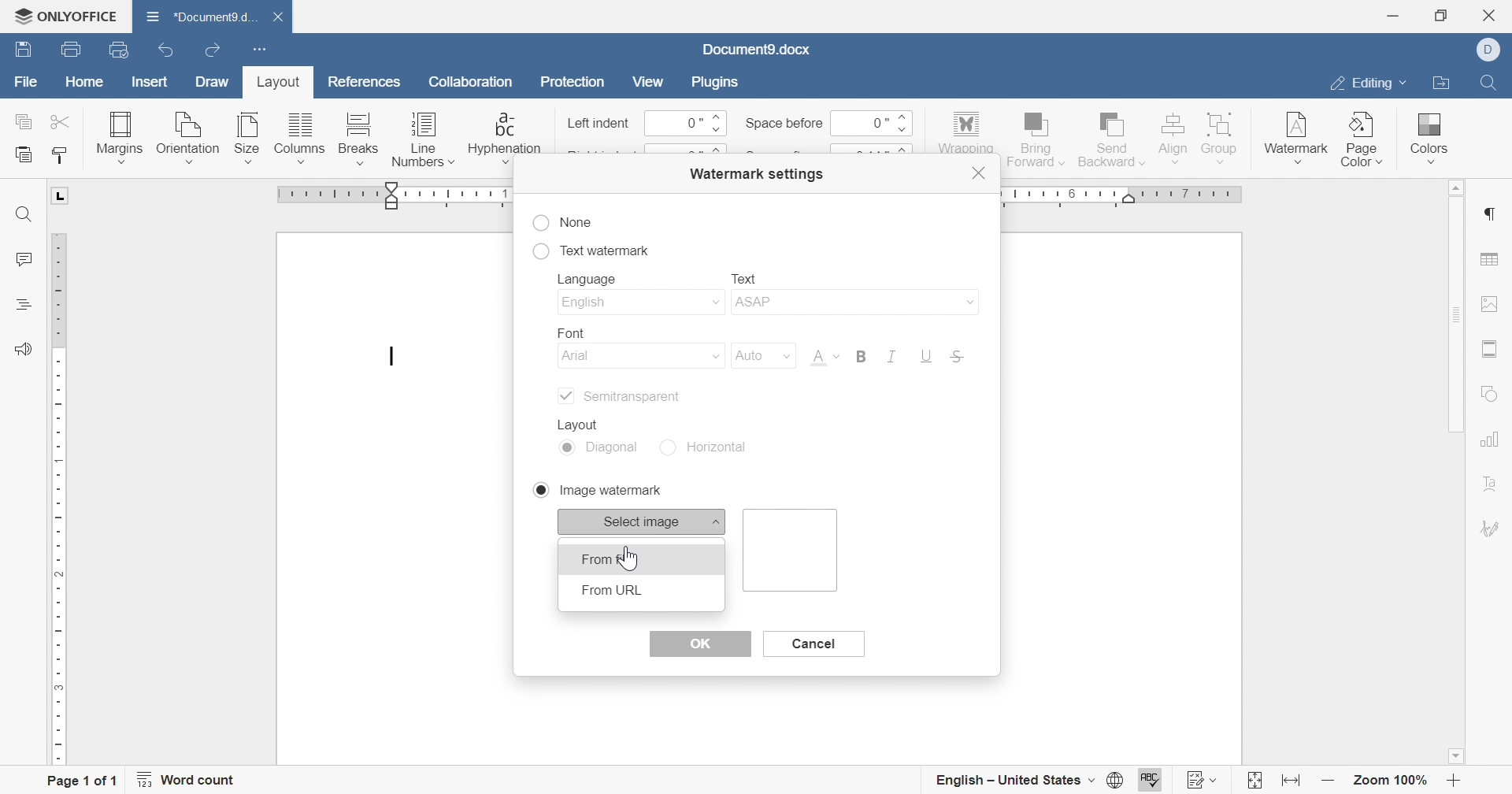  Describe the element at coordinates (213, 82) in the screenshot. I see `draw` at that location.